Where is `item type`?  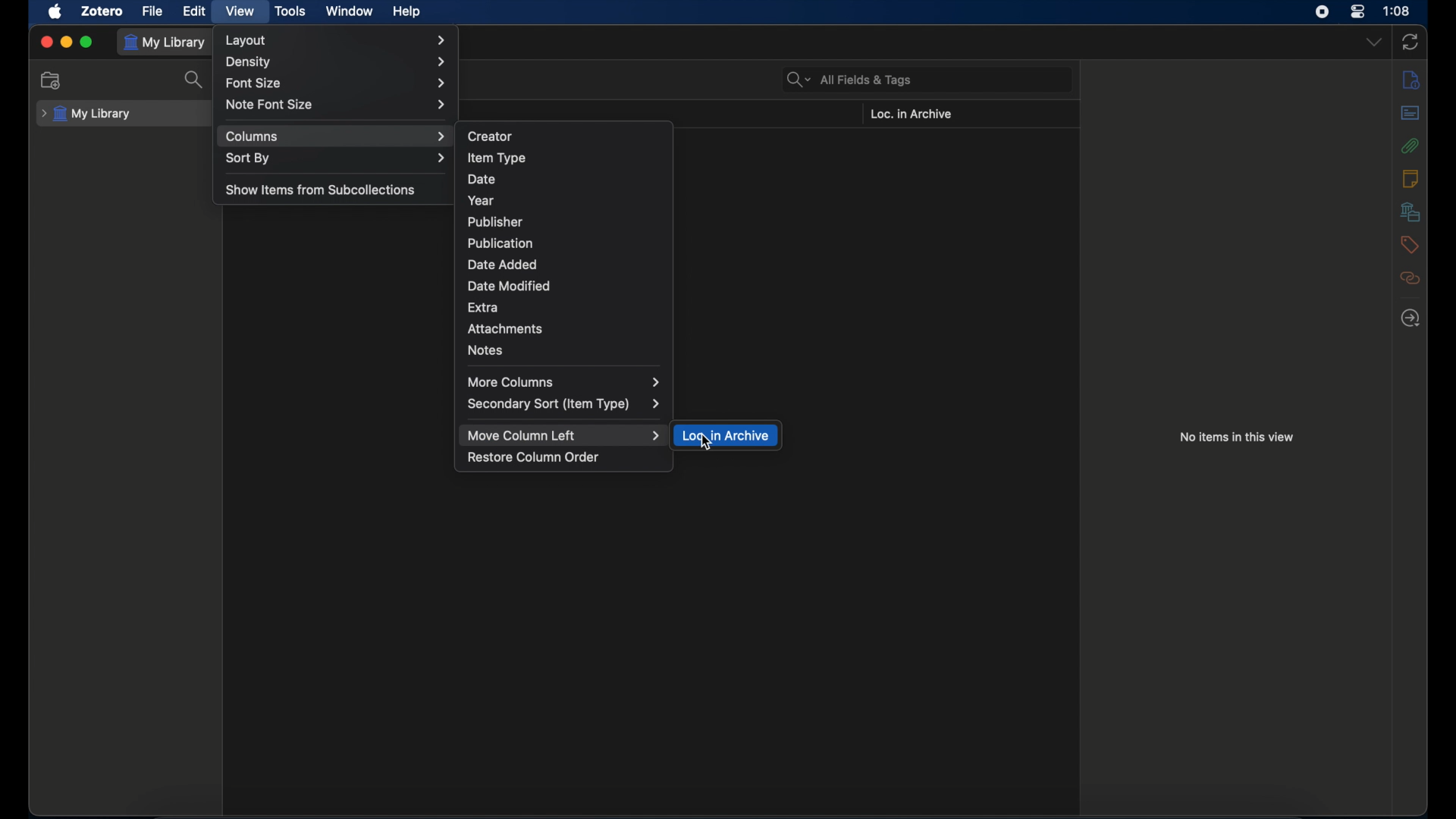
item type is located at coordinates (496, 158).